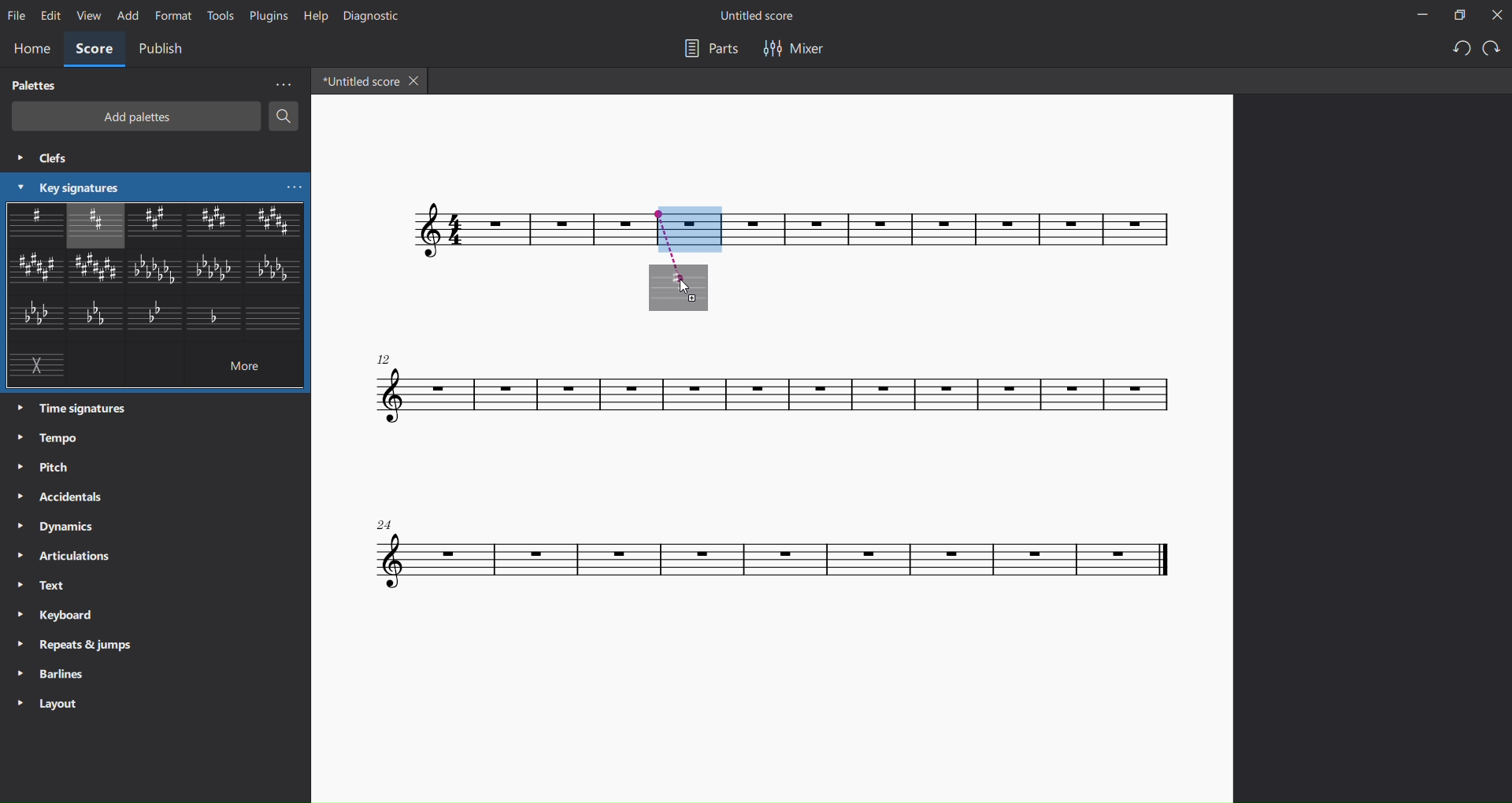  What do you see at coordinates (157, 228) in the screenshot?
I see `other key signatures` at bounding box center [157, 228].